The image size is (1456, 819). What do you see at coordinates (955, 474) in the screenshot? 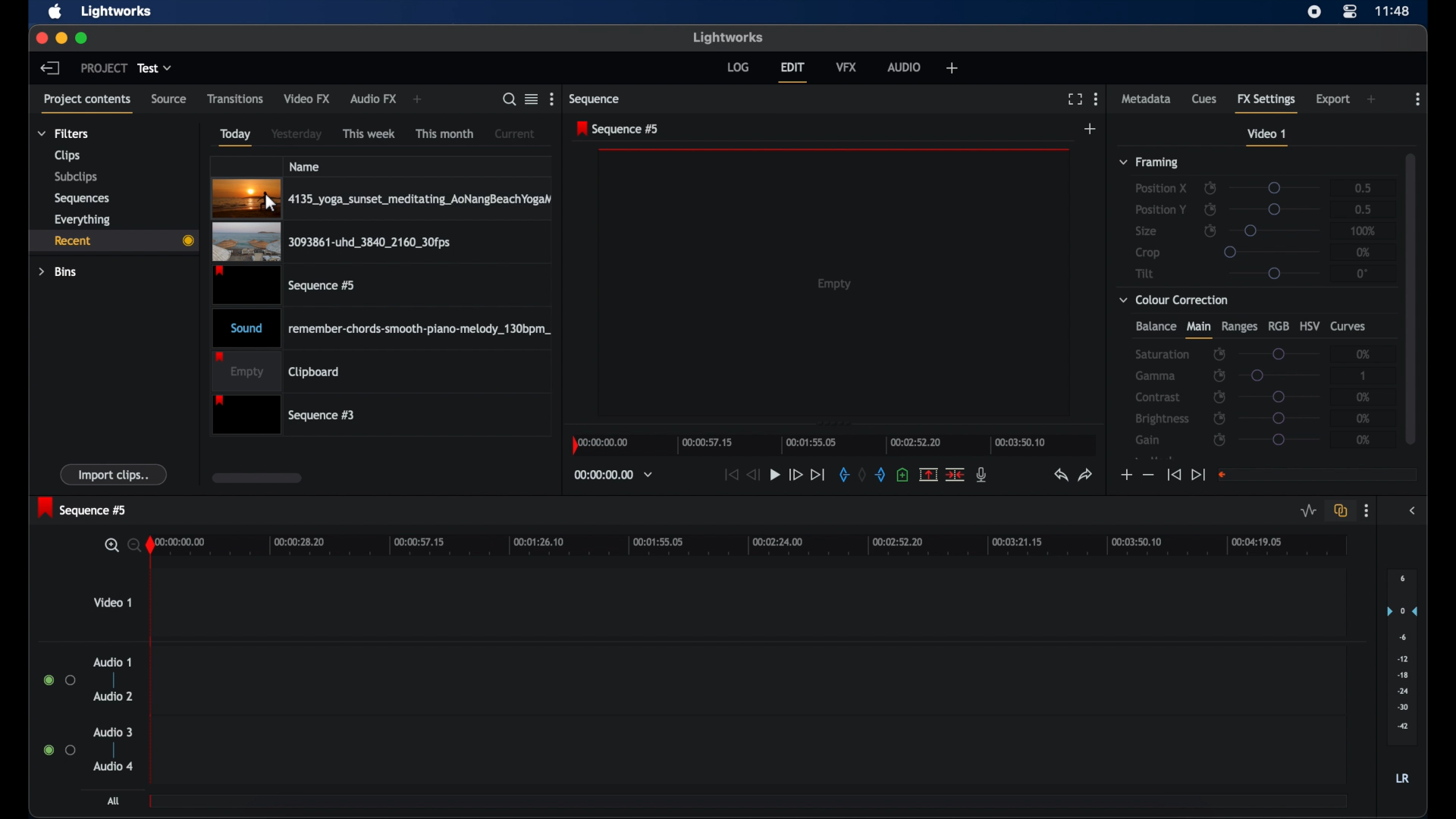
I see `cut` at bounding box center [955, 474].